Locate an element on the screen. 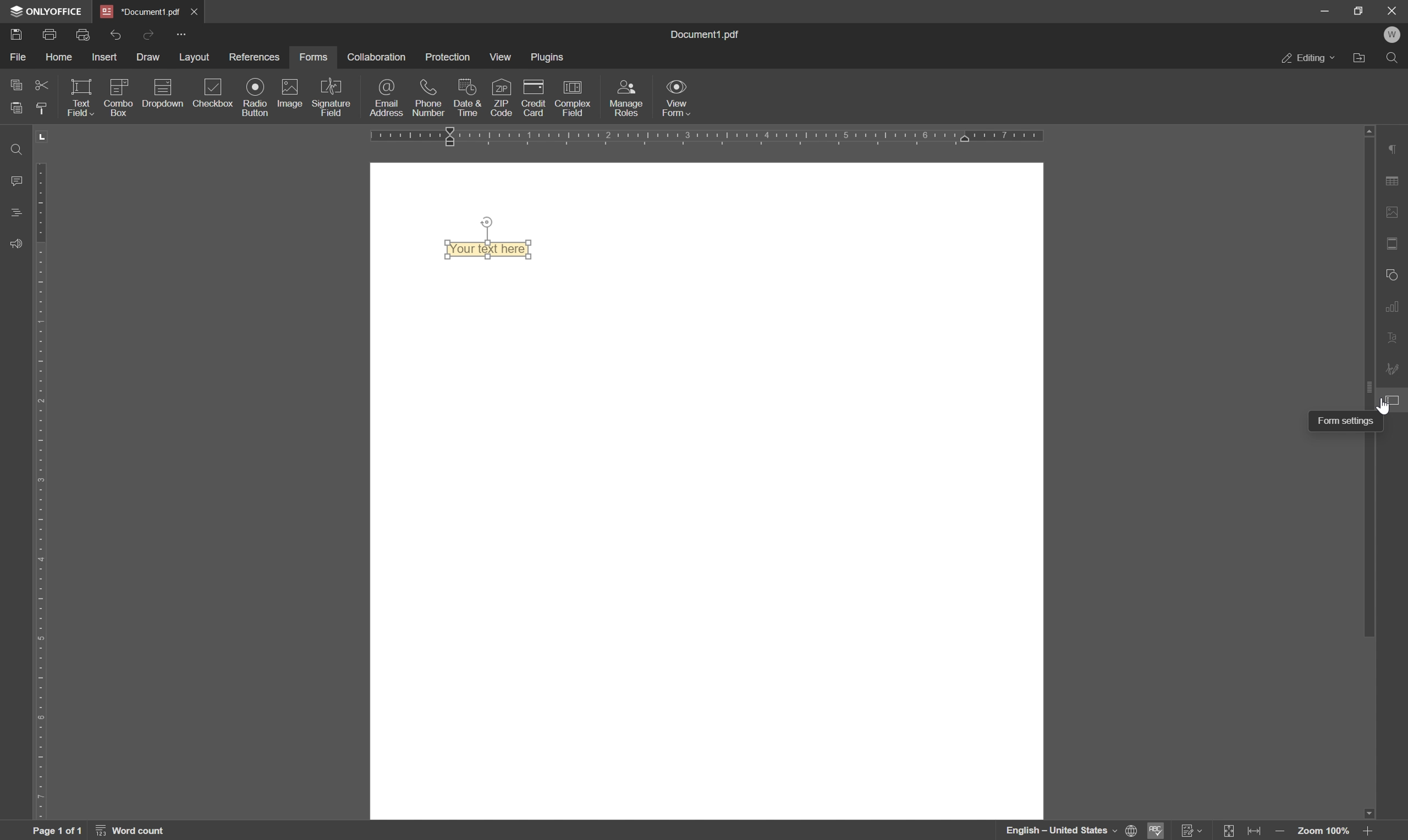 Image resolution: width=1408 pixels, height=840 pixels. find is located at coordinates (1394, 57).